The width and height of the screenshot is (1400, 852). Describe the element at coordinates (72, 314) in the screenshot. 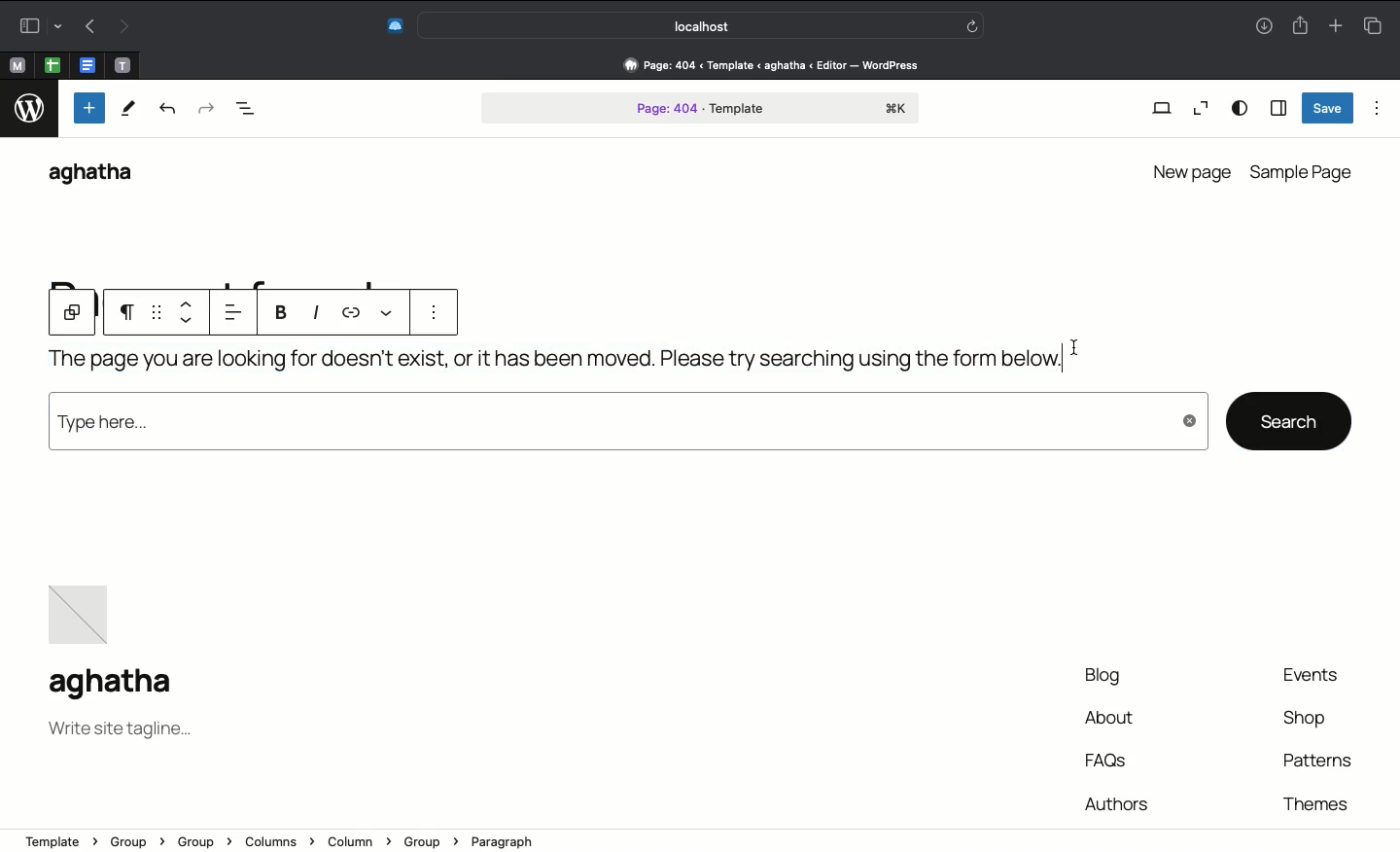

I see `Group` at that location.